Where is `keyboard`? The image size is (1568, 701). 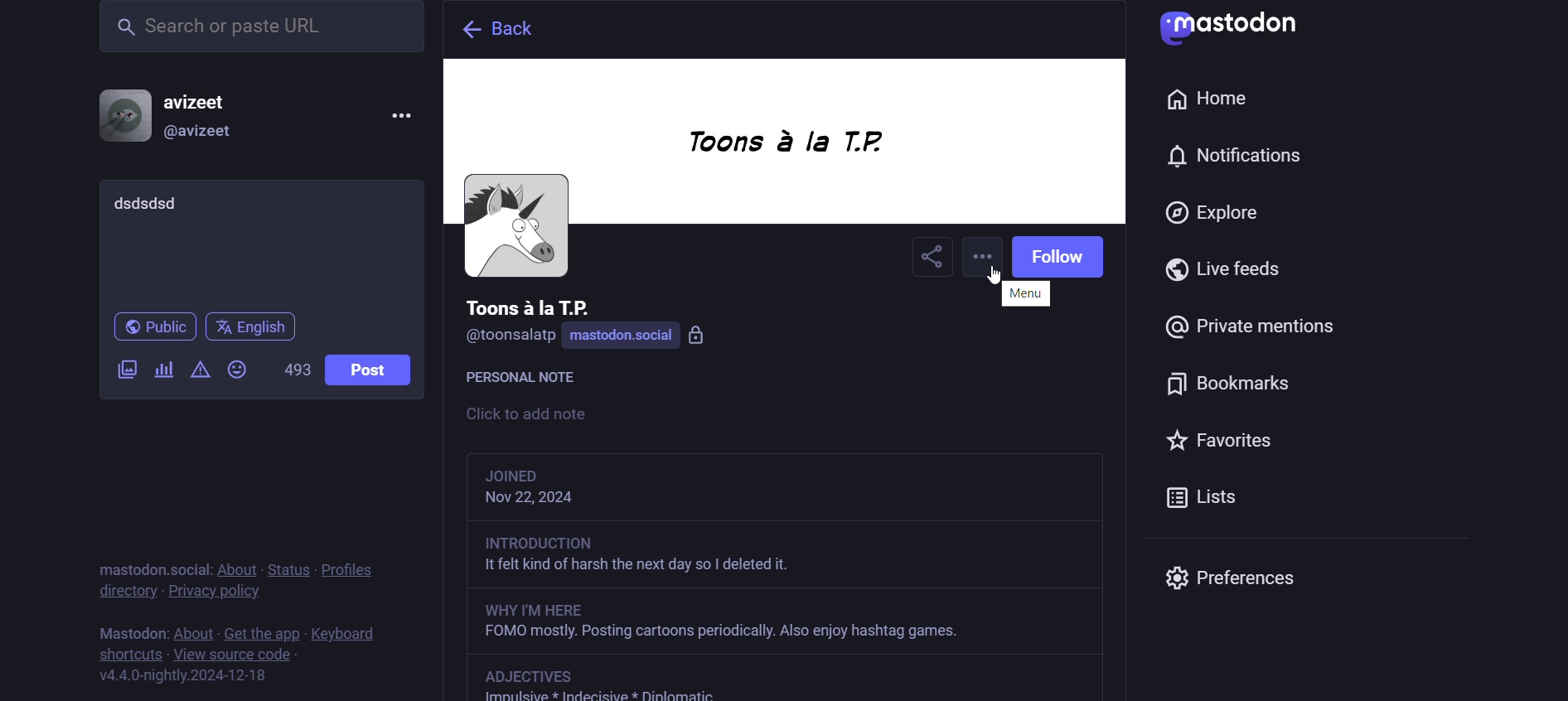
keyboard is located at coordinates (353, 632).